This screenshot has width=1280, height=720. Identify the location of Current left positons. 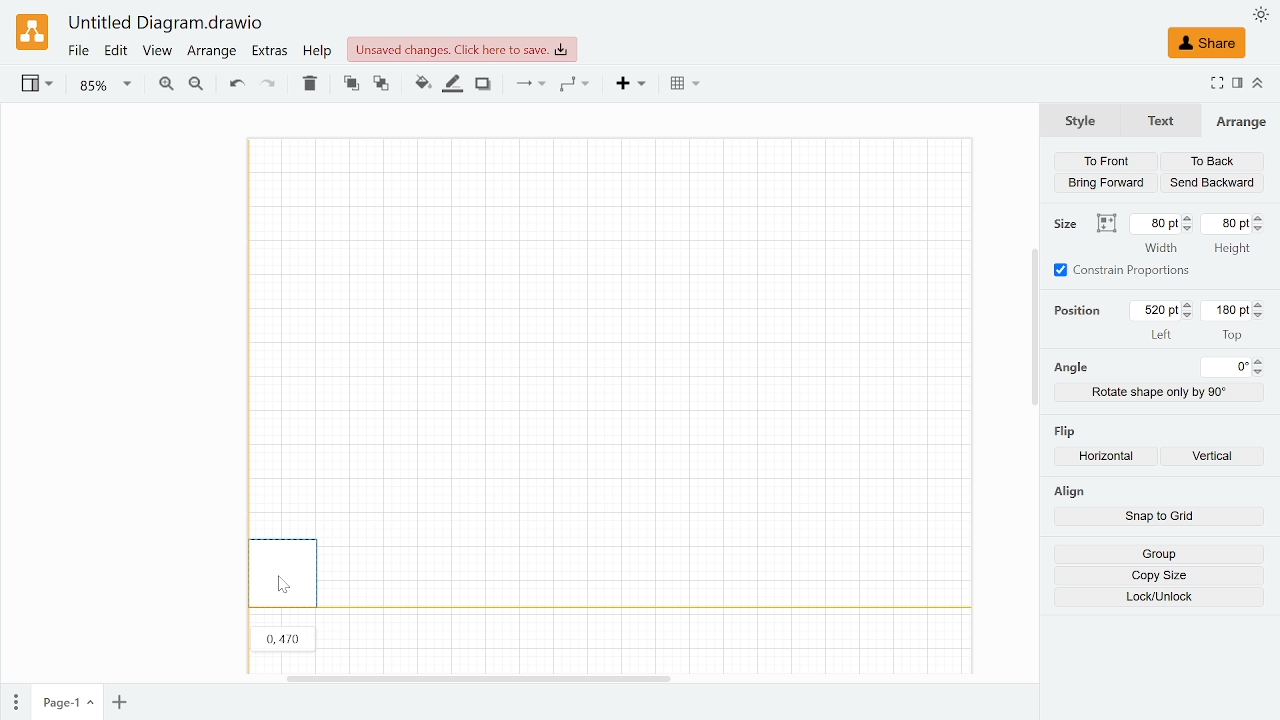
(1156, 310).